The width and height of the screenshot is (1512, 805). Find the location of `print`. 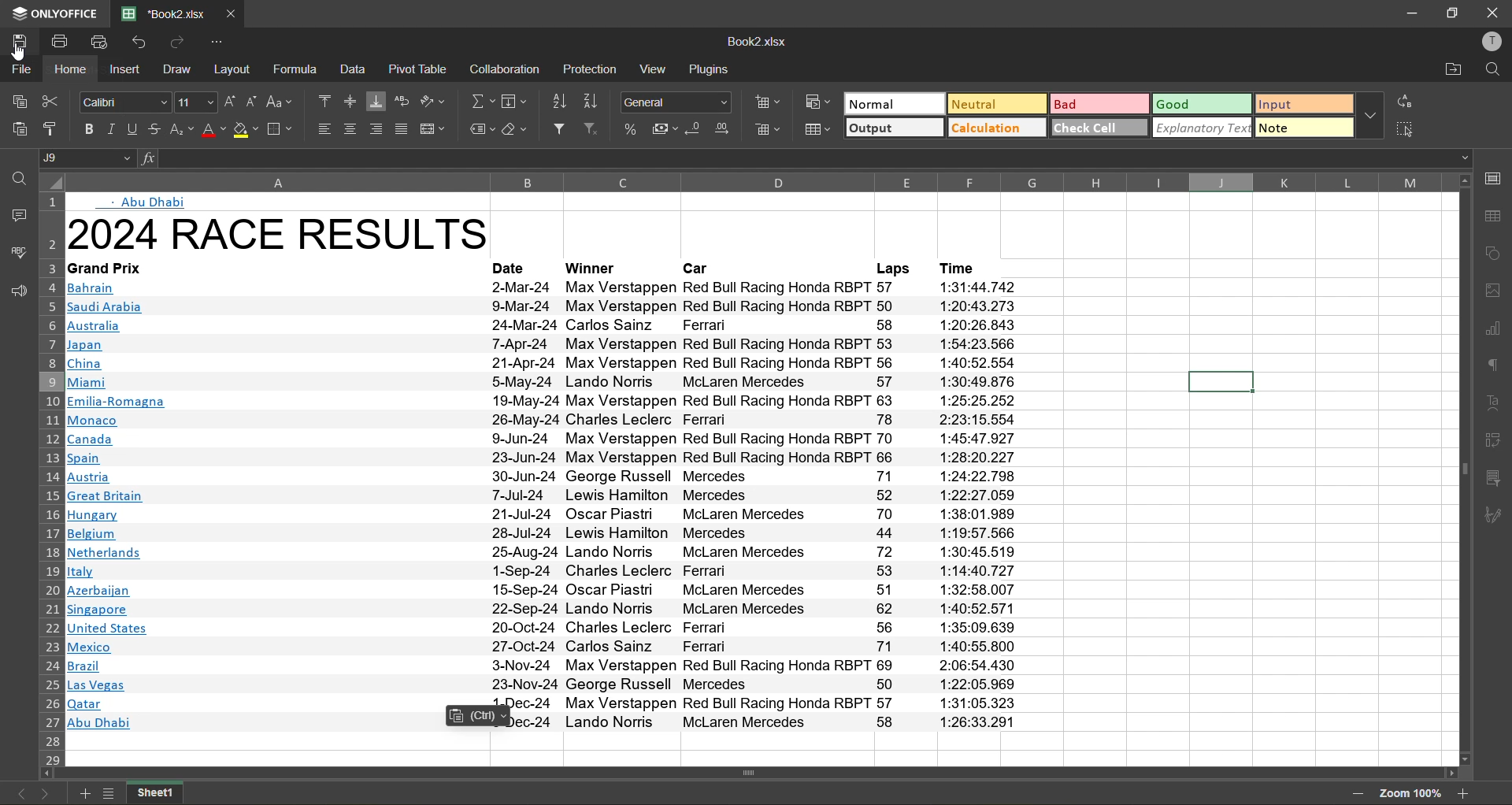

print is located at coordinates (61, 42).